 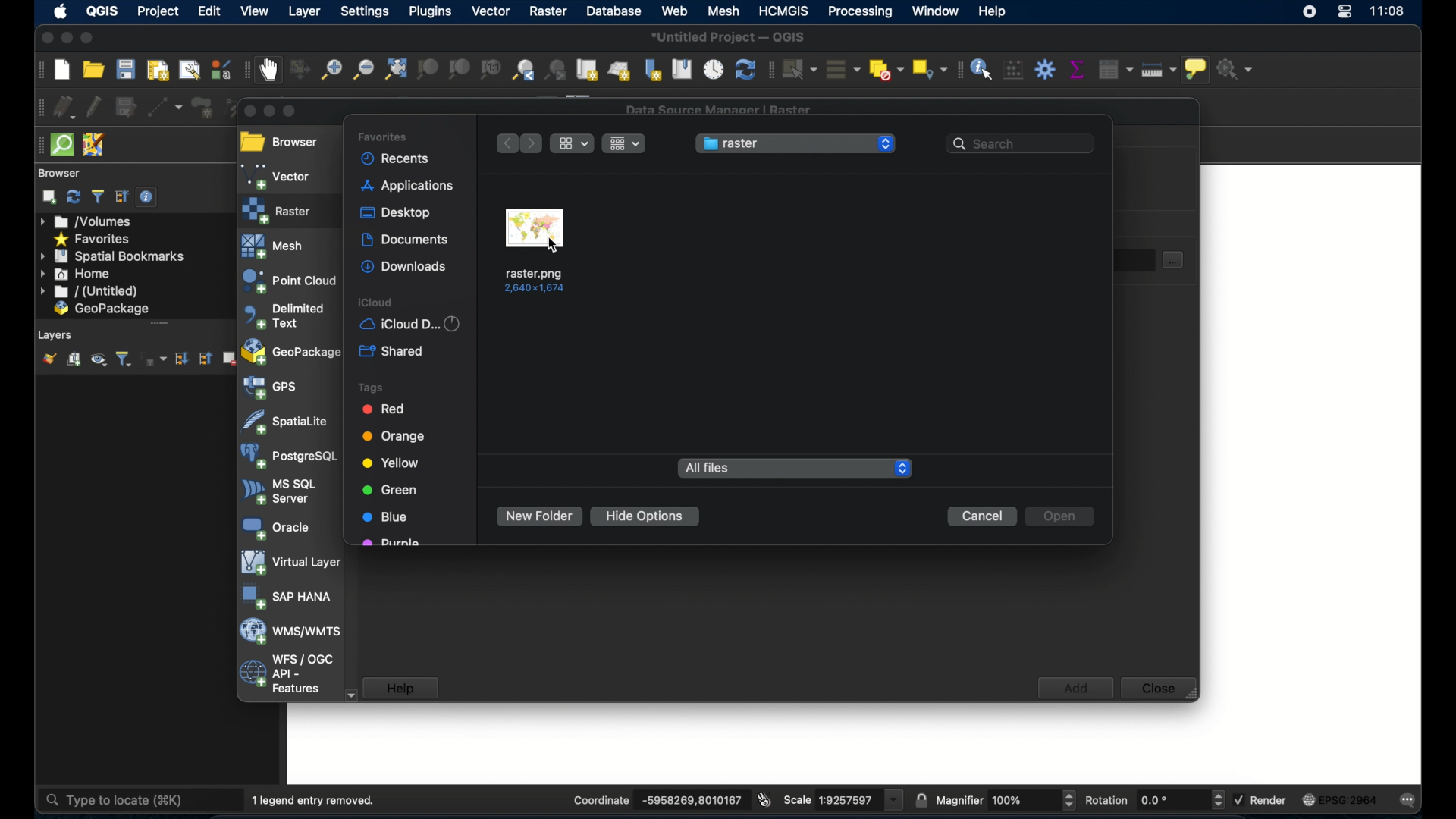 I want to click on untitled project - QGIS, so click(x=732, y=36).